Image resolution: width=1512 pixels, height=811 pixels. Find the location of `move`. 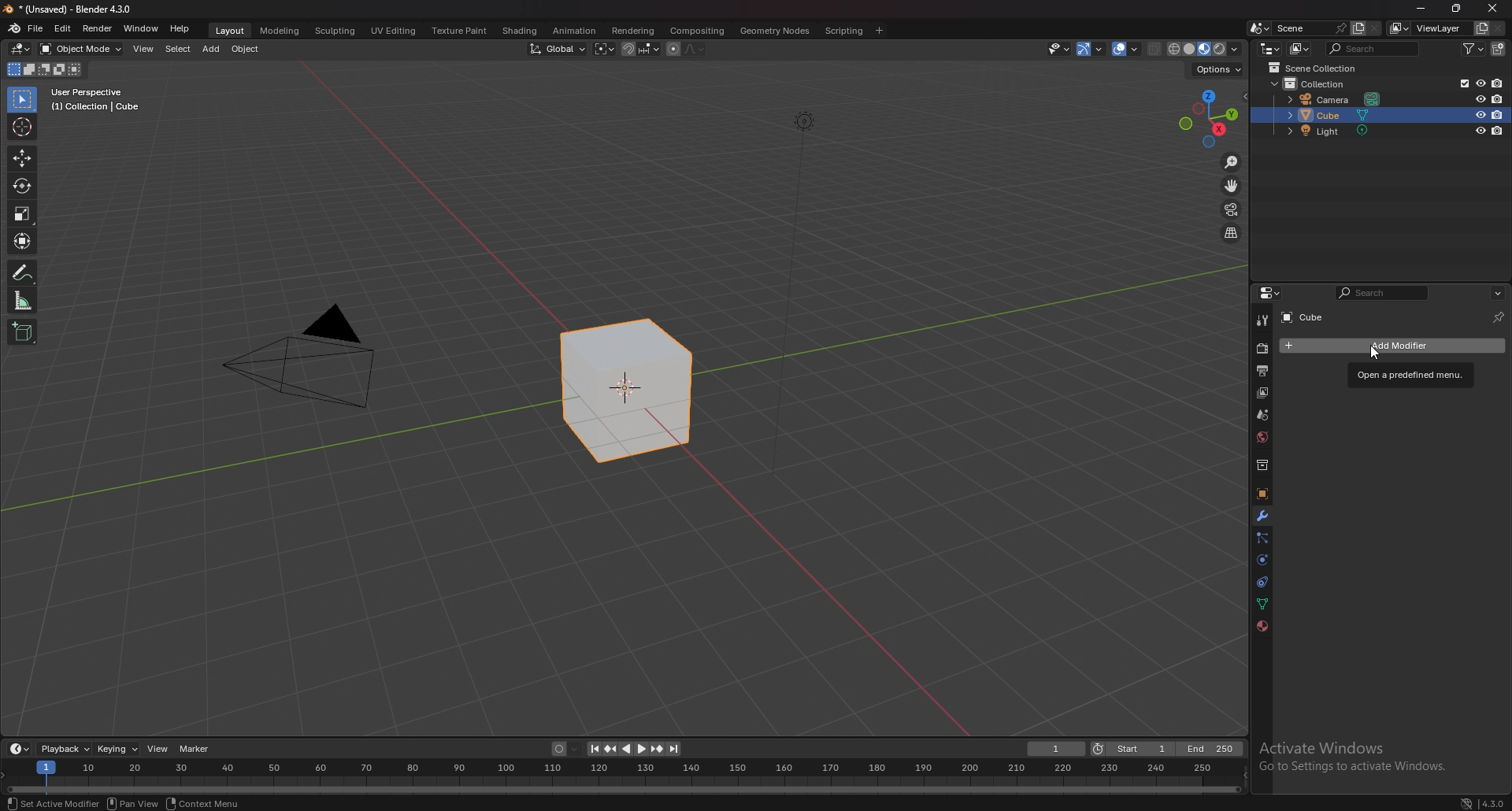

move is located at coordinates (1232, 186).